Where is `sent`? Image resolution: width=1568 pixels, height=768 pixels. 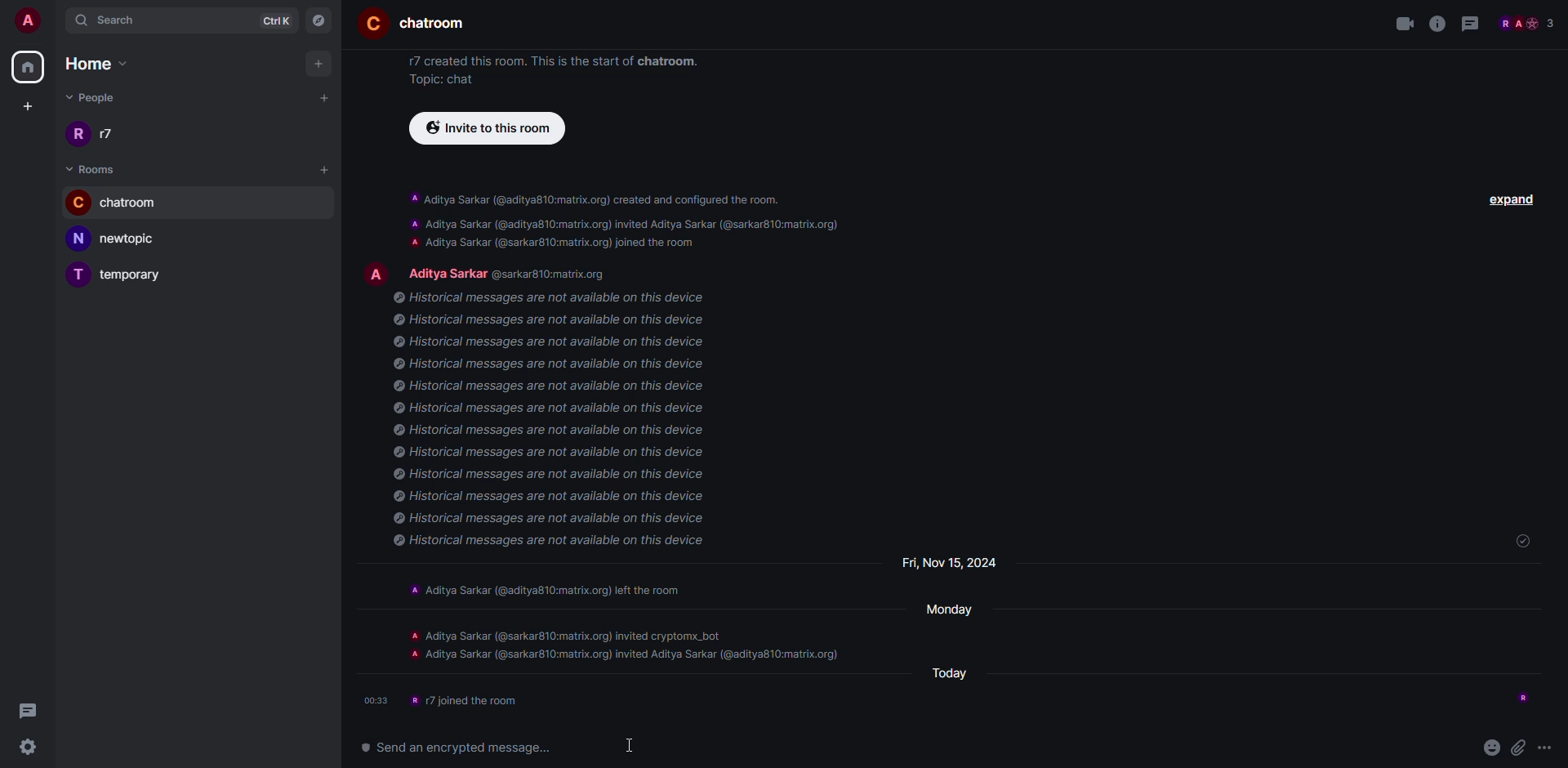
sent is located at coordinates (1519, 542).